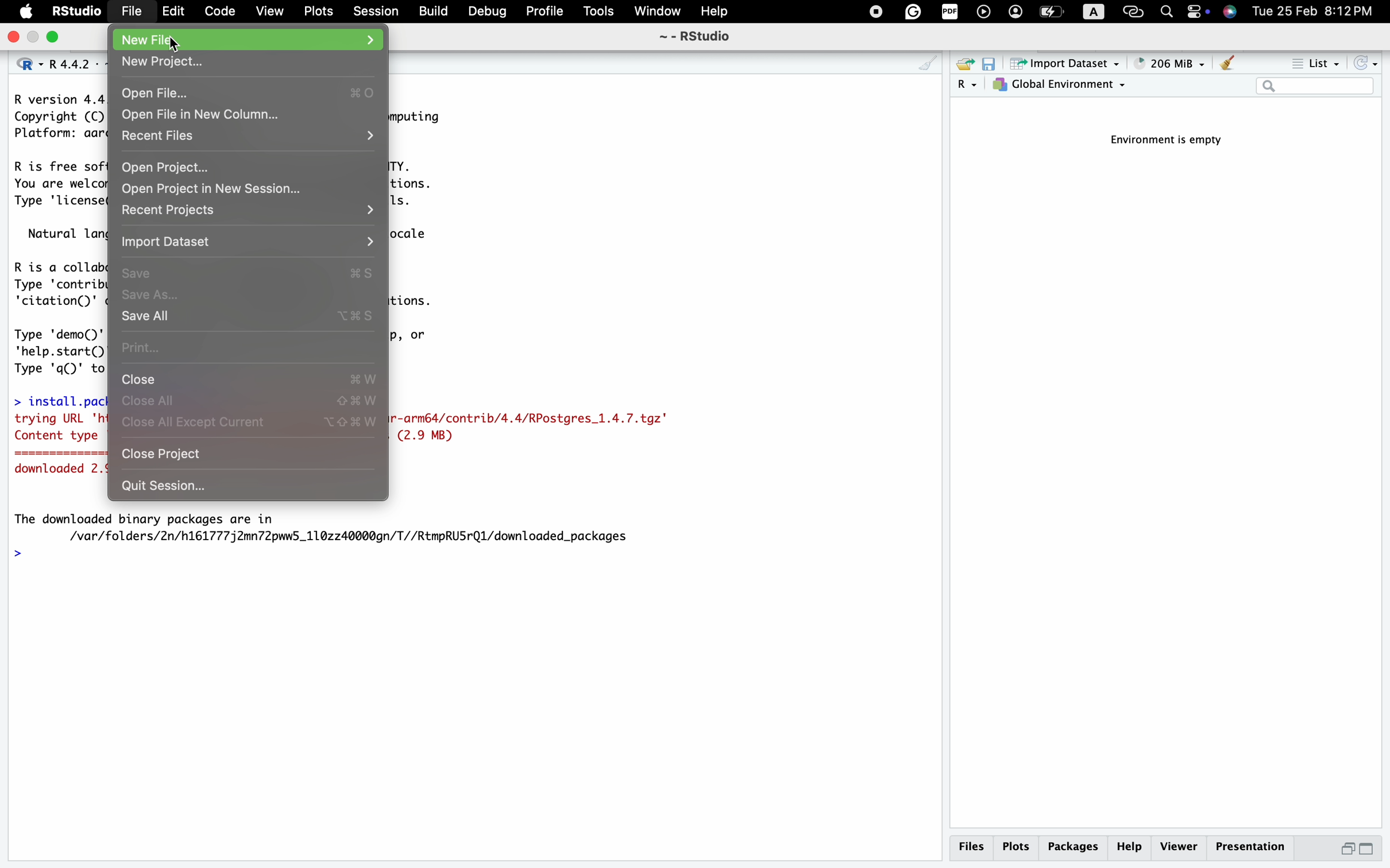  What do you see at coordinates (1368, 65) in the screenshot?
I see `refresh the list of objects in the environment` at bounding box center [1368, 65].